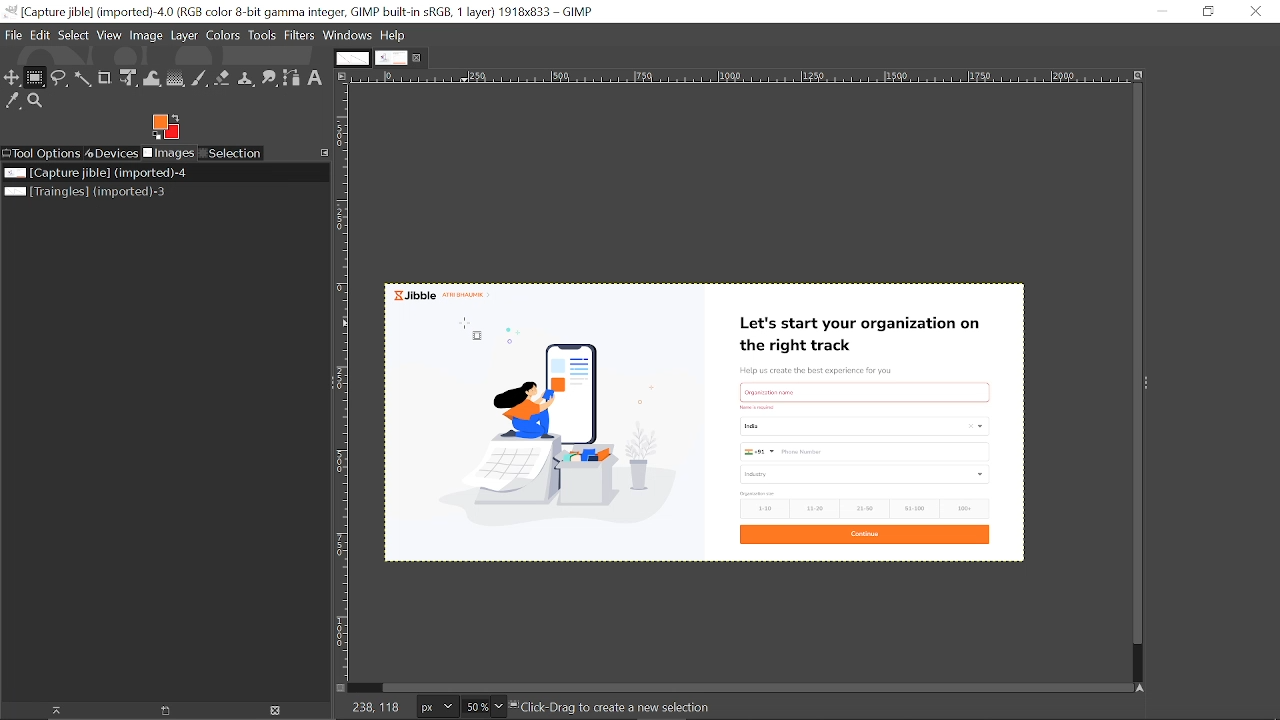 The height and width of the screenshot is (720, 1280). I want to click on Windows, so click(347, 35).